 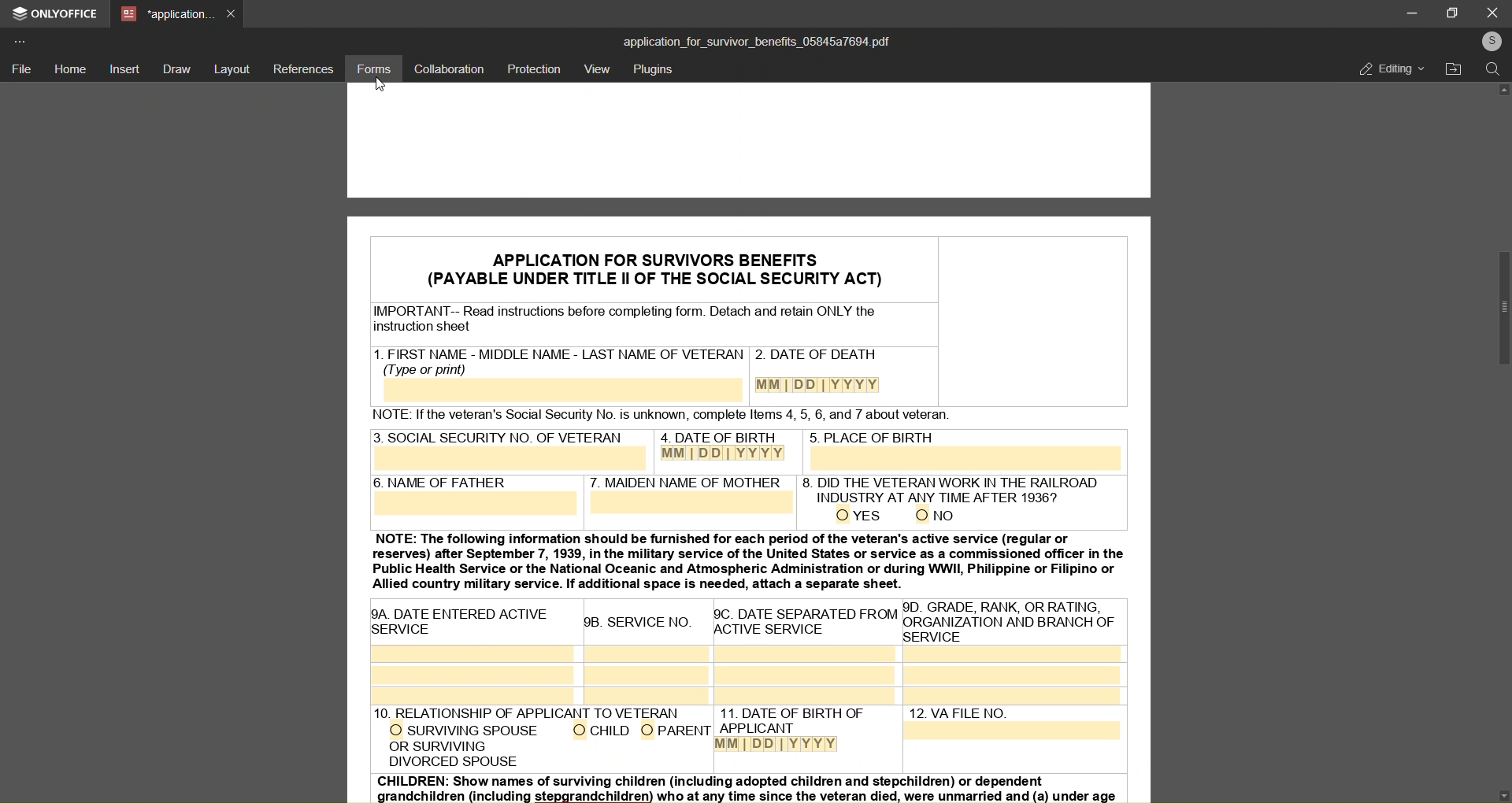 I want to click on references, so click(x=304, y=68).